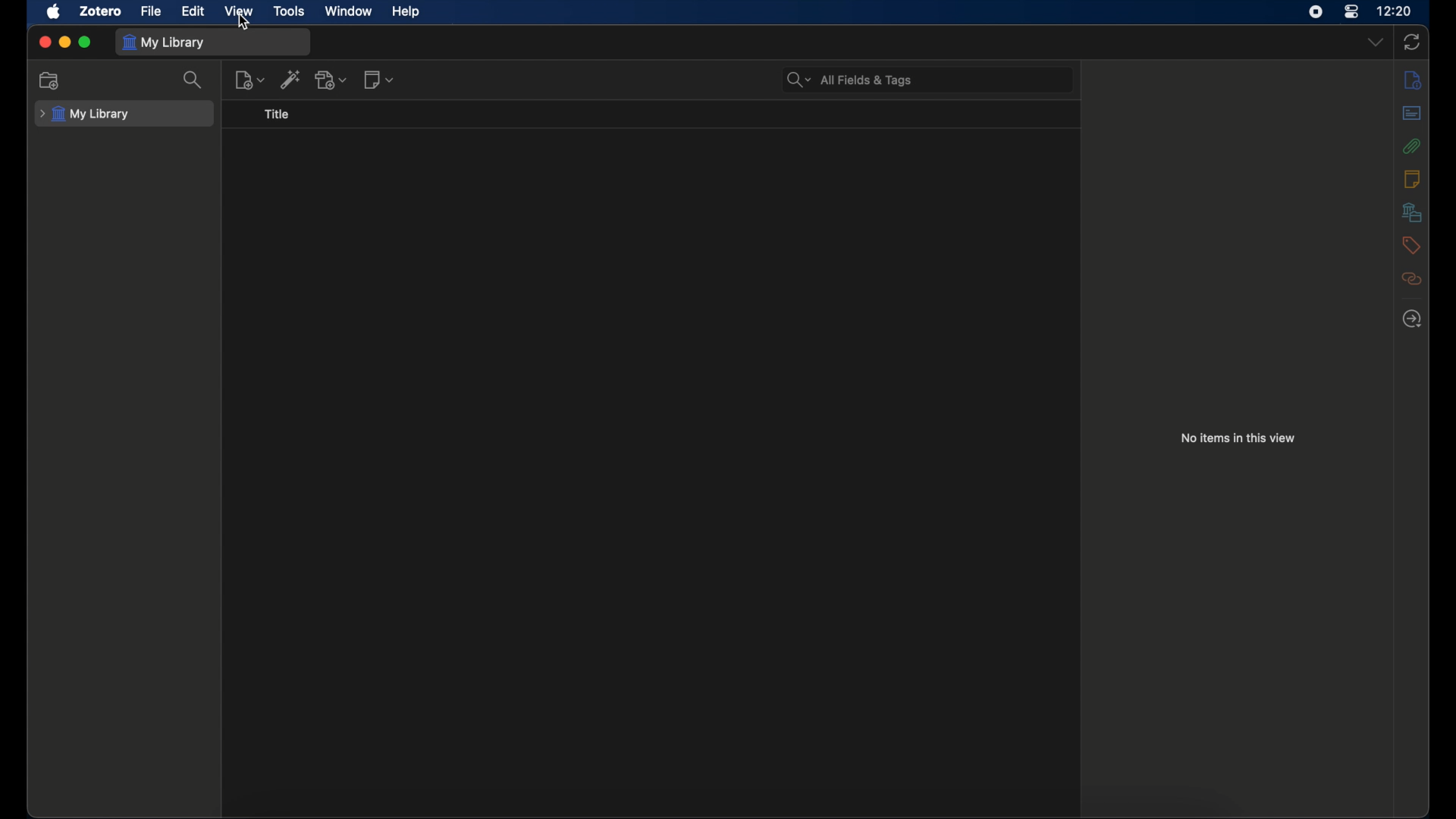  What do you see at coordinates (49, 80) in the screenshot?
I see `new collection` at bounding box center [49, 80].